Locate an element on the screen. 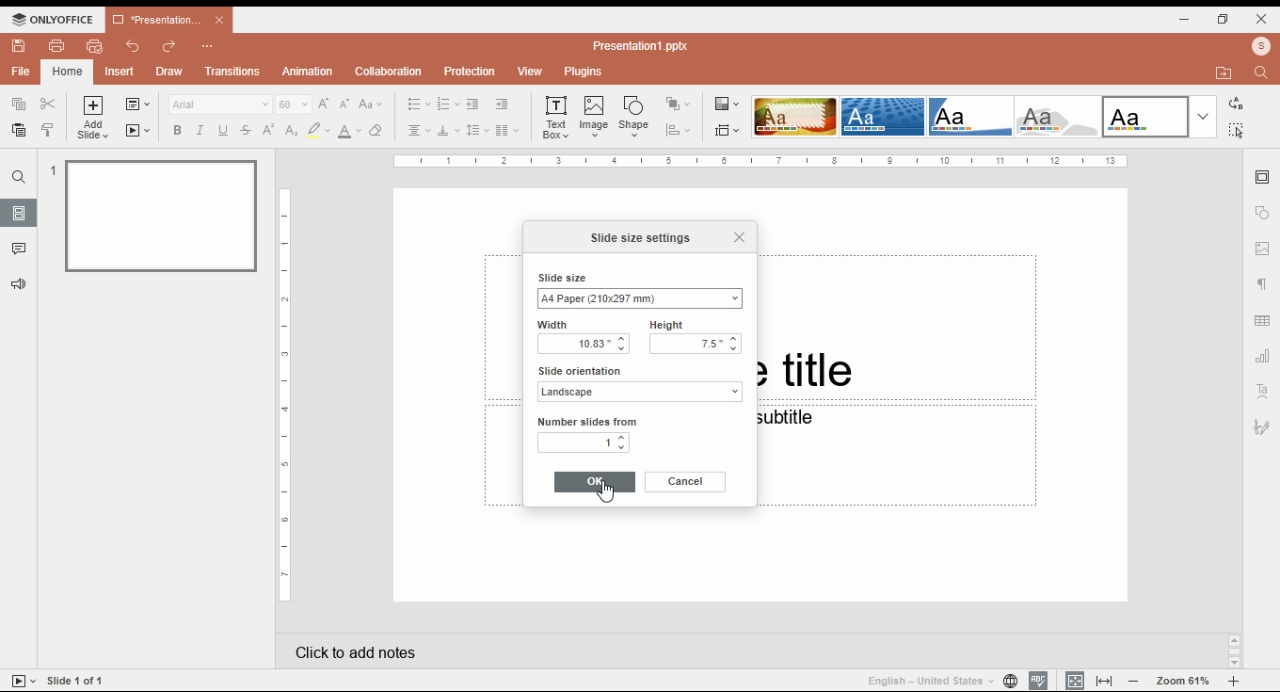  animation is located at coordinates (309, 71).